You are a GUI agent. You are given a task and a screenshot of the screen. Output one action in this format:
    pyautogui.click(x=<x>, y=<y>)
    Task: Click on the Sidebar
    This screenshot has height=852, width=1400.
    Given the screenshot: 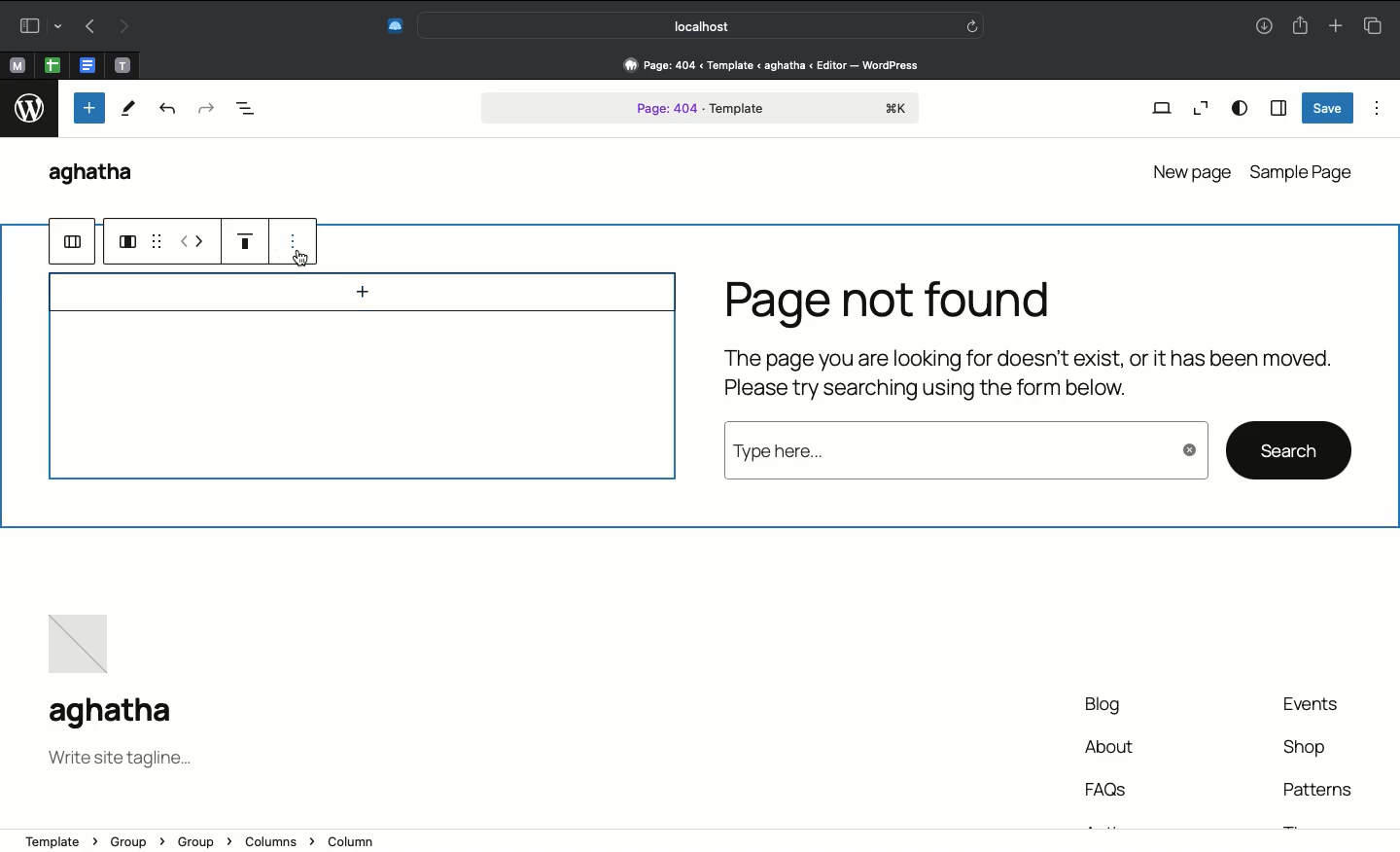 What is the action you would take?
    pyautogui.click(x=1277, y=107)
    